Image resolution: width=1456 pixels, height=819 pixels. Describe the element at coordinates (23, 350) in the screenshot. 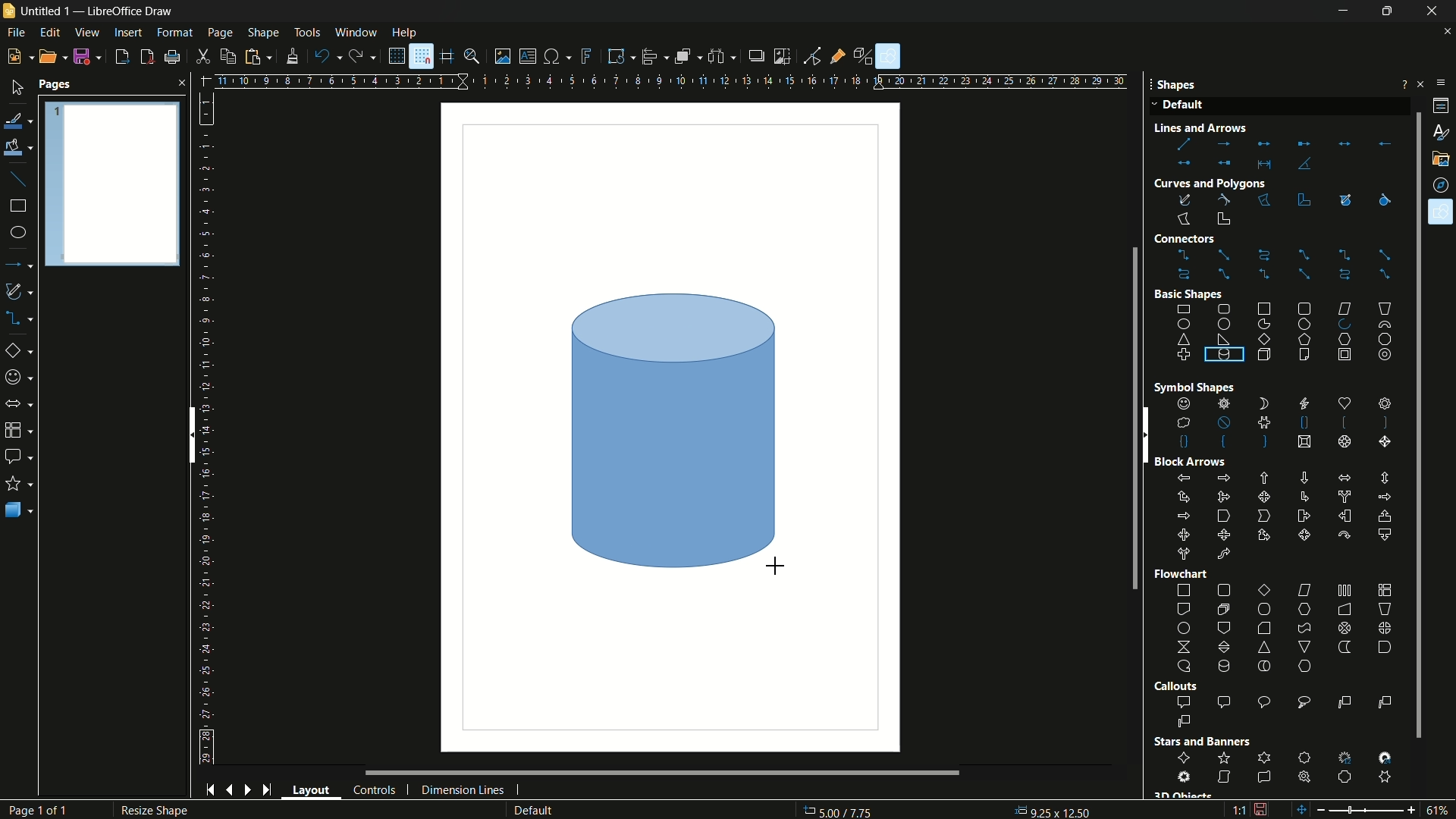

I see `basic shapes` at that location.